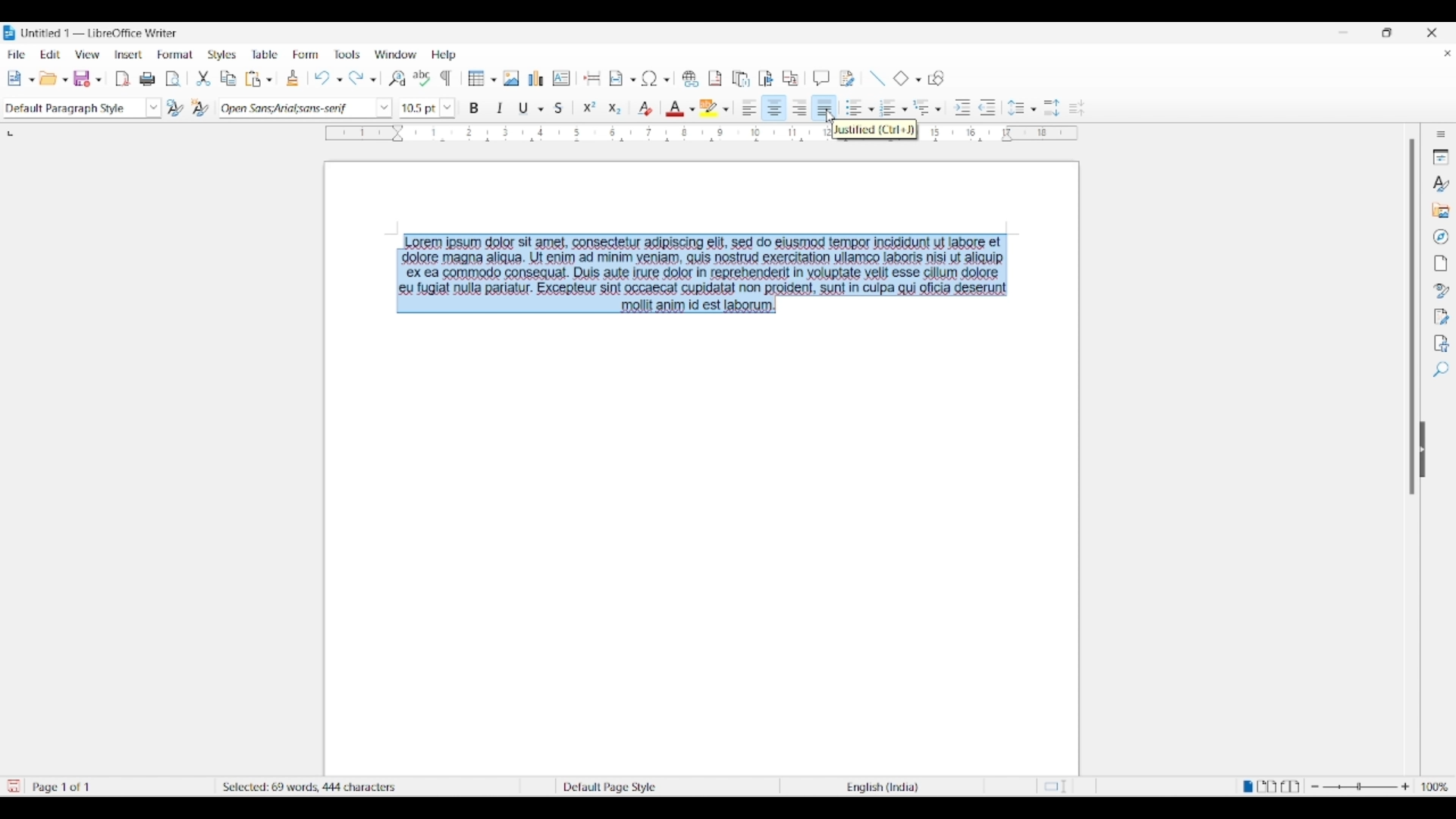 This screenshot has height=819, width=1456. What do you see at coordinates (1052, 108) in the screenshot?
I see `Increase line spacing` at bounding box center [1052, 108].